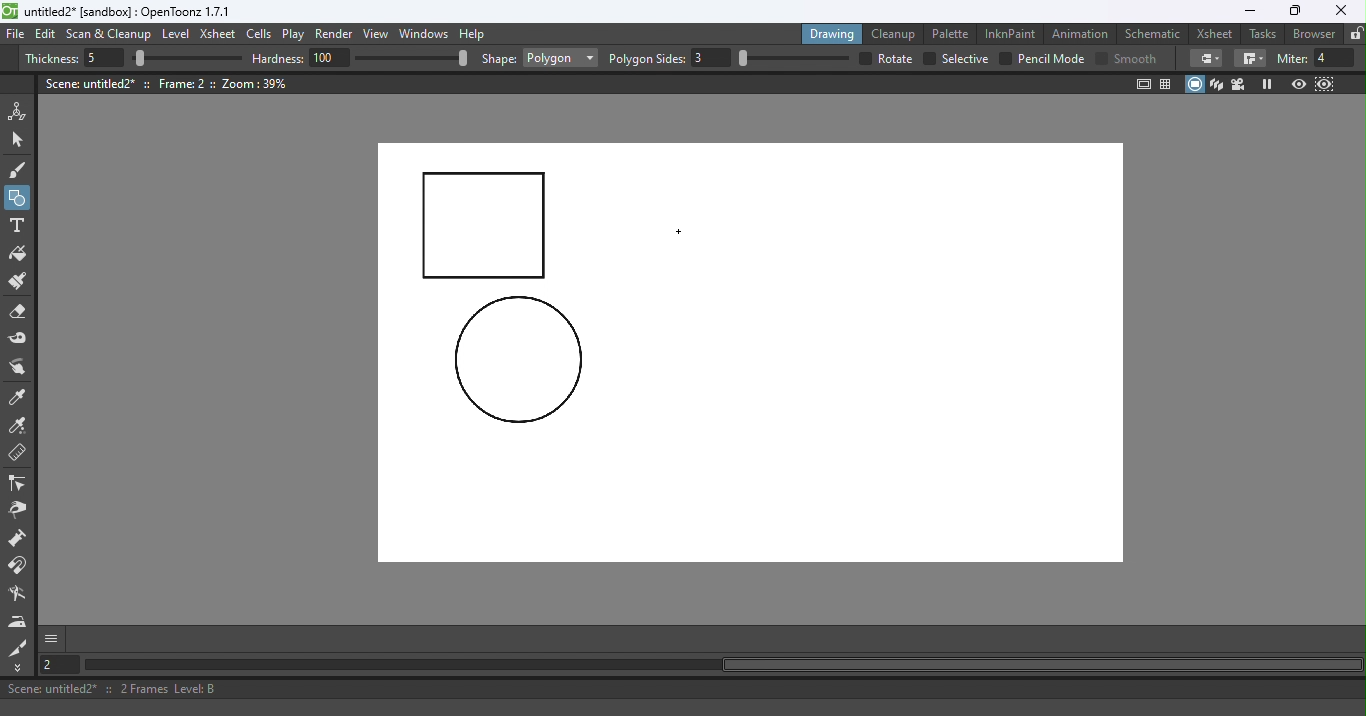 Image resolution: width=1366 pixels, height=716 pixels. What do you see at coordinates (18, 647) in the screenshot?
I see `Cutter tool` at bounding box center [18, 647].